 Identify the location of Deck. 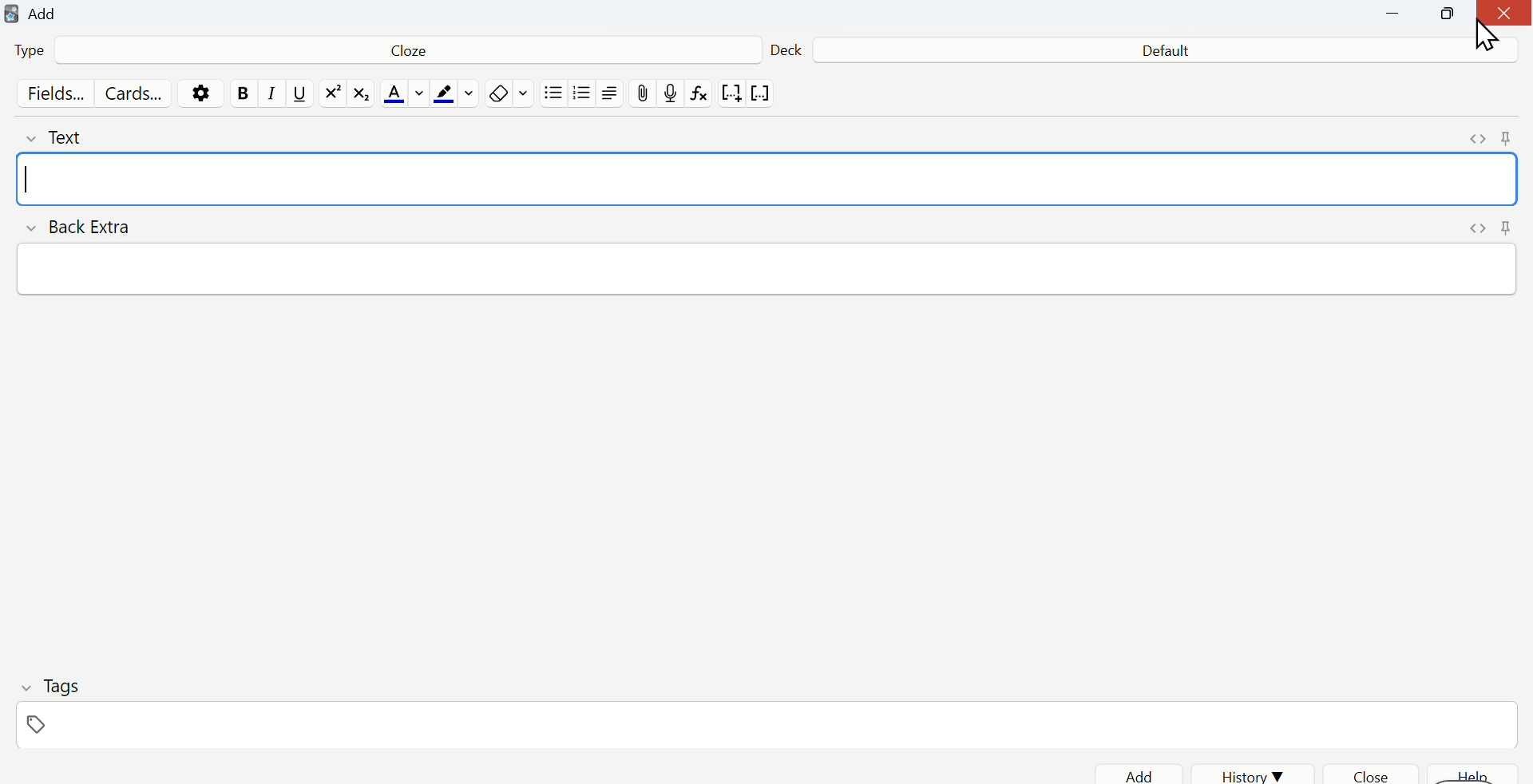
(786, 47).